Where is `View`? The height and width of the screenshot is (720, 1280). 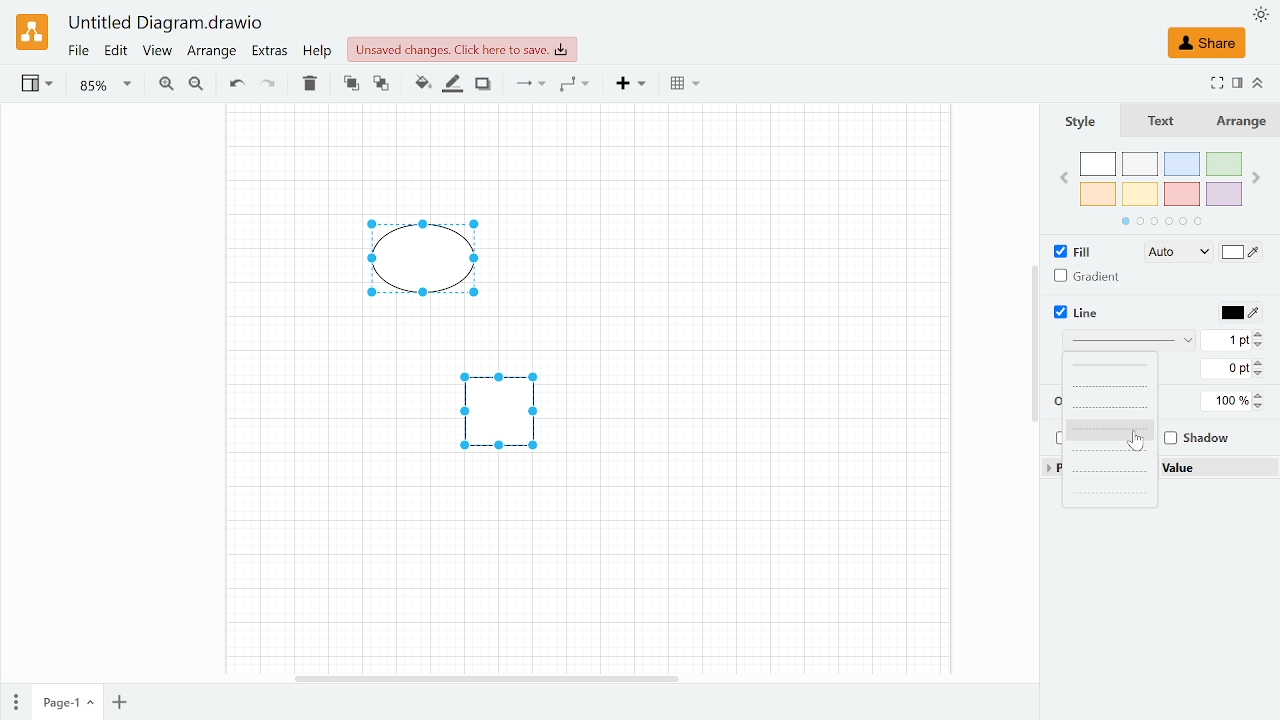 View is located at coordinates (39, 86).